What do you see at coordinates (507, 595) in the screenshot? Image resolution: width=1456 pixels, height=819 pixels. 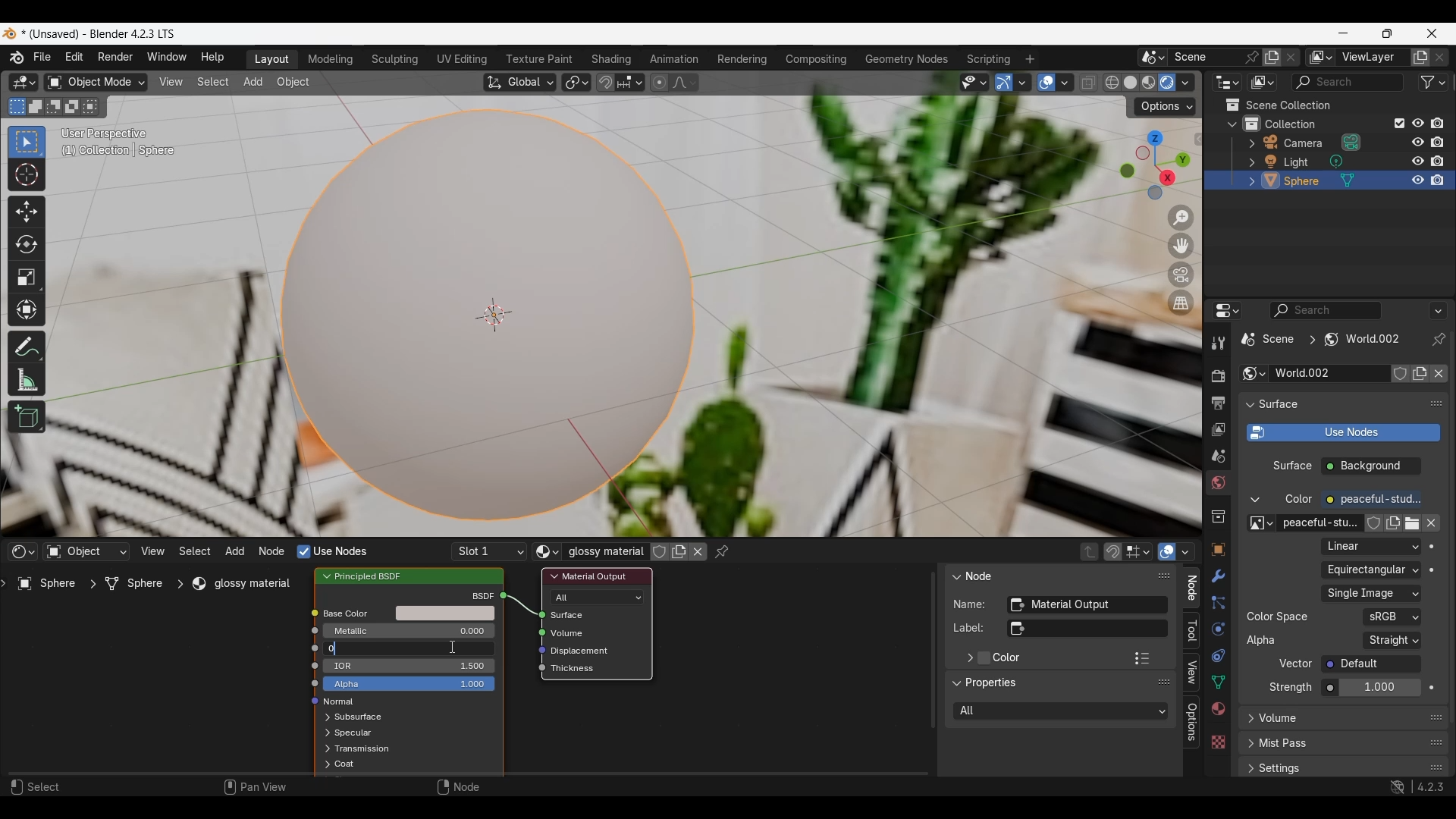 I see `icon` at bounding box center [507, 595].